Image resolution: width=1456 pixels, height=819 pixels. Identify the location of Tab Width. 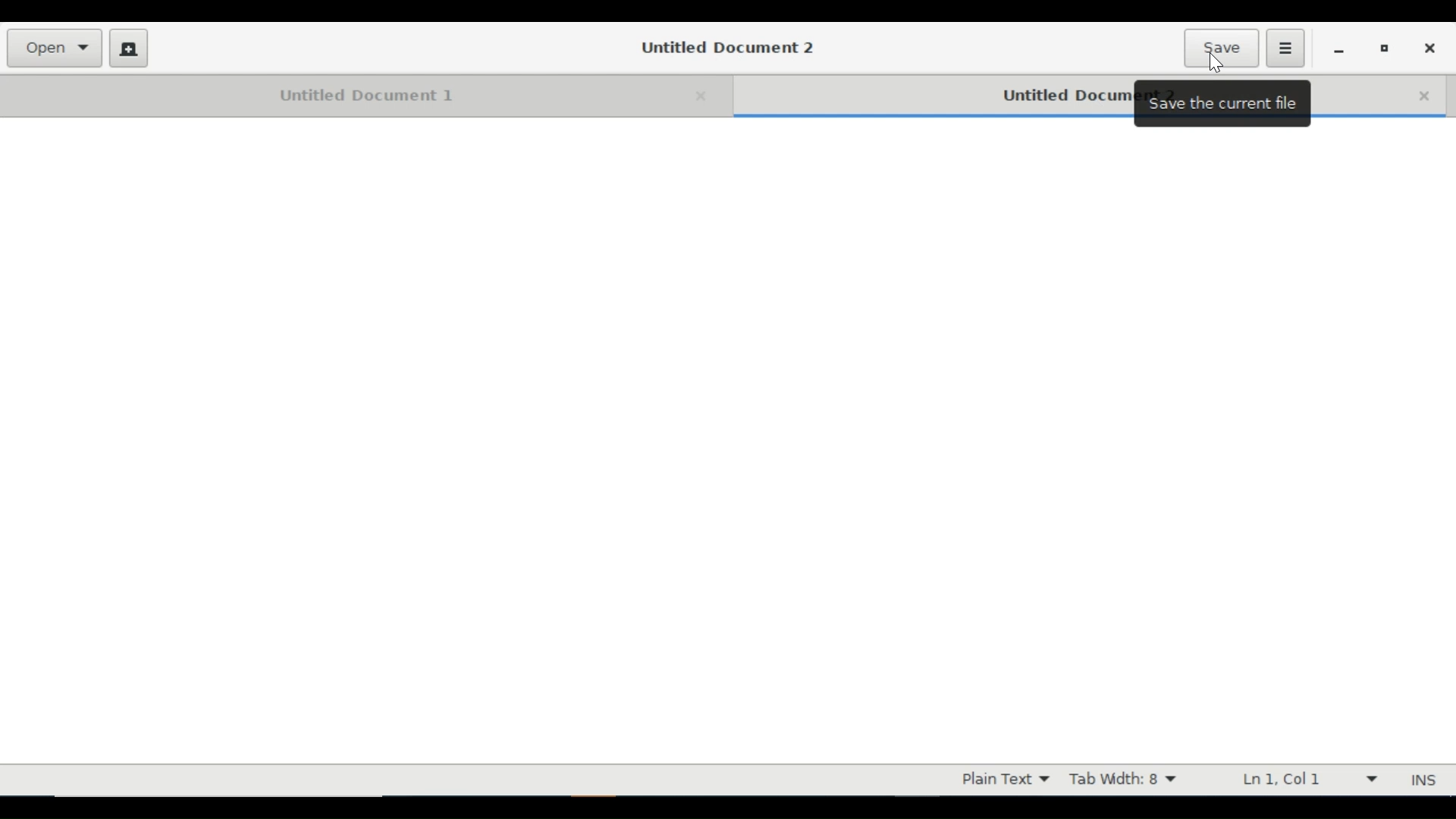
(1126, 779).